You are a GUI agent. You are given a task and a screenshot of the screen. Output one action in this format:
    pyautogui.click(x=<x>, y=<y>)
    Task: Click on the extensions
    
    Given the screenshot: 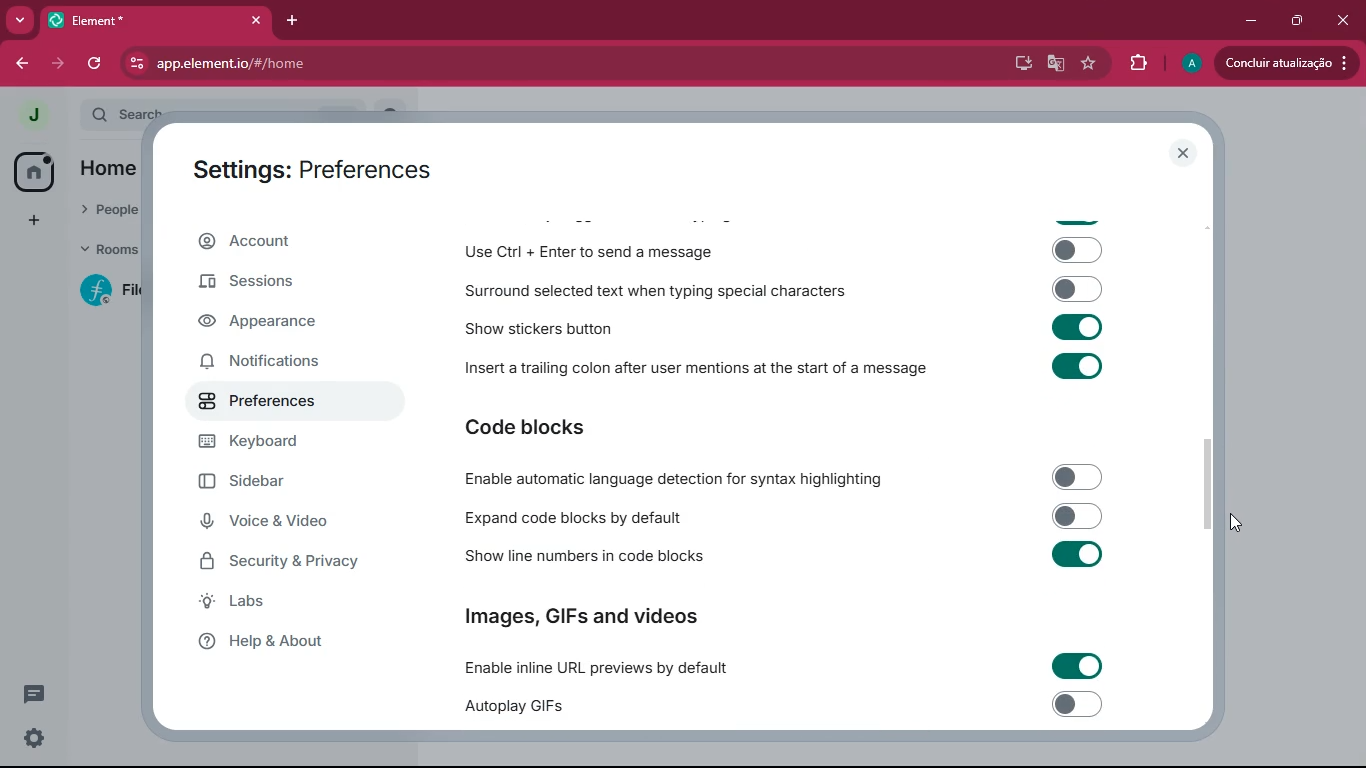 What is the action you would take?
    pyautogui.click(x=1140, y=63)
    